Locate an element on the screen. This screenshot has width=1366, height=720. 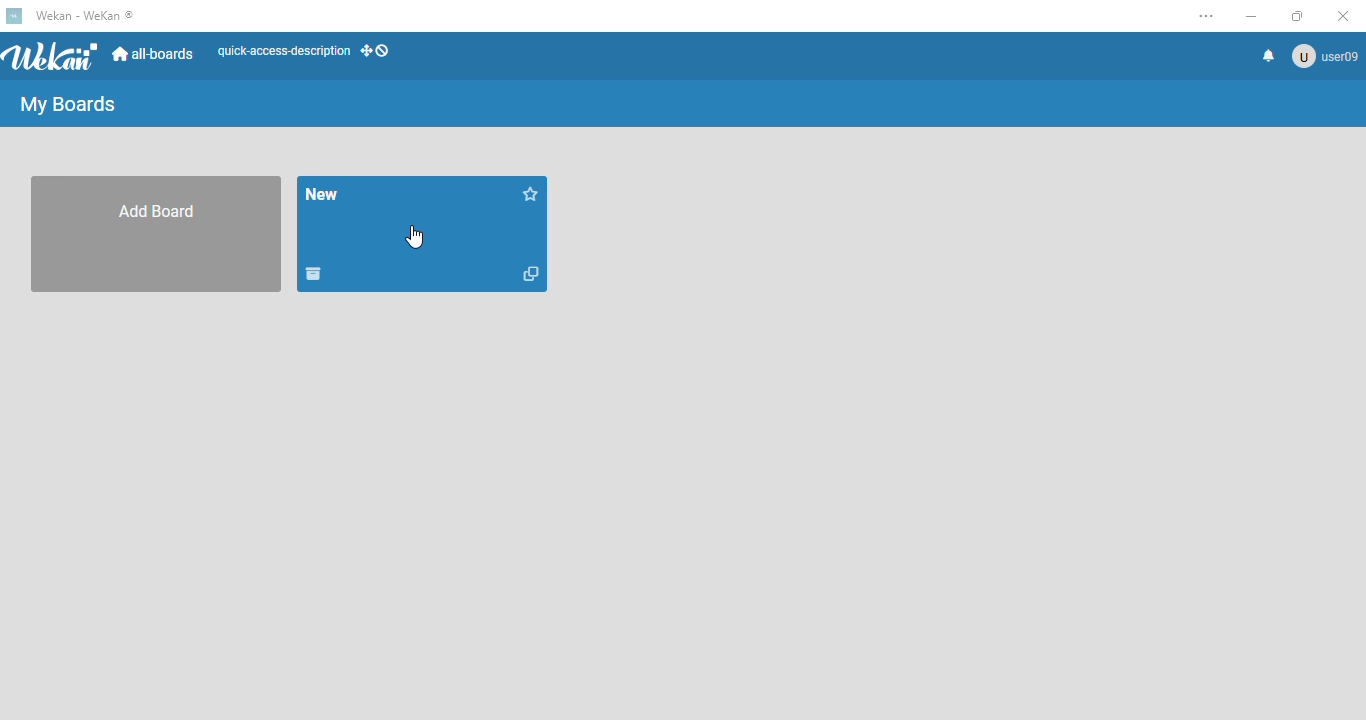
close is located at coordinates (1335, 16).